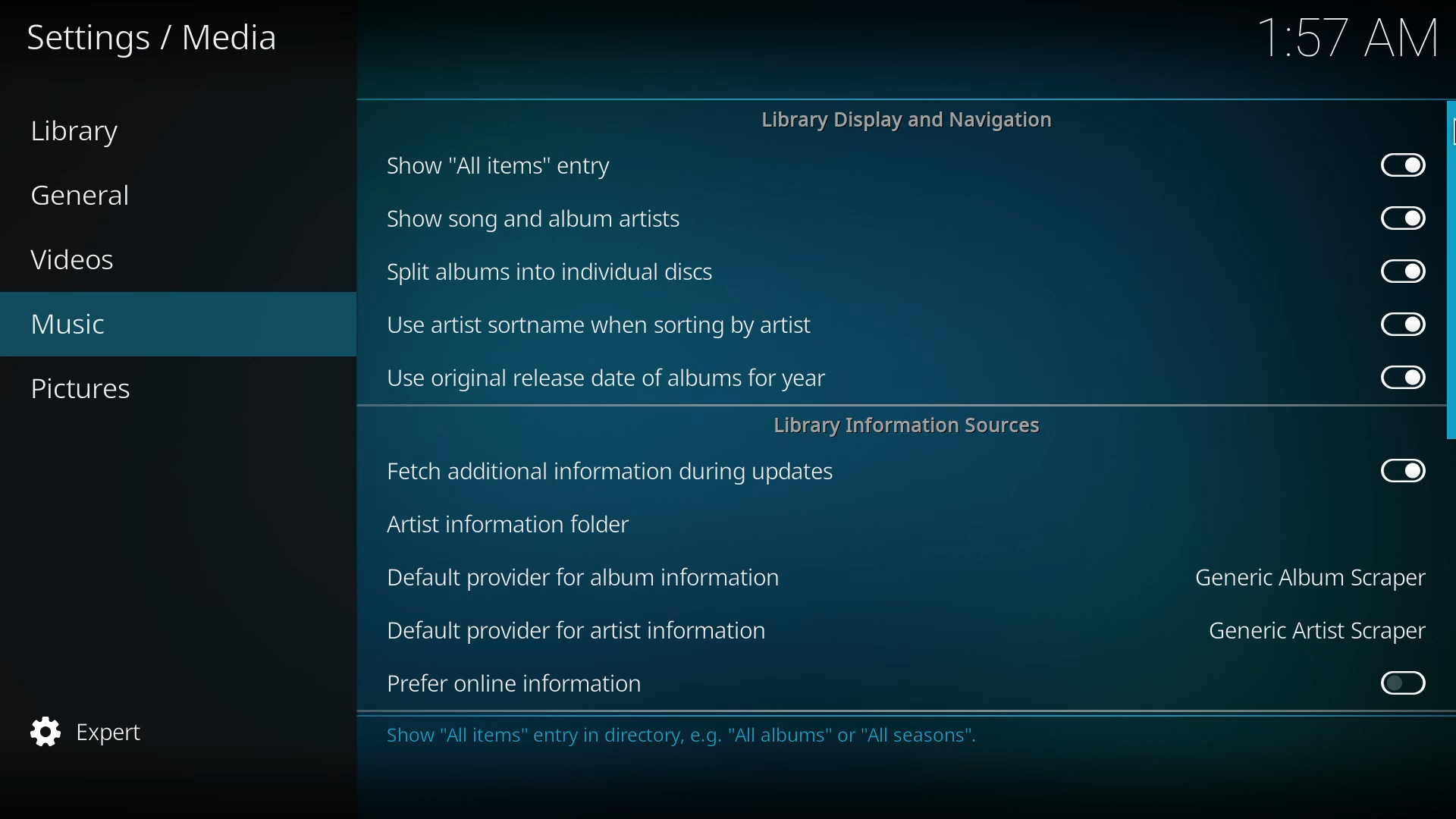 This screenshot has width=1456, height=819. Describe the element at coordinates (83, 196) in the screenshot. I see `general` at that location.